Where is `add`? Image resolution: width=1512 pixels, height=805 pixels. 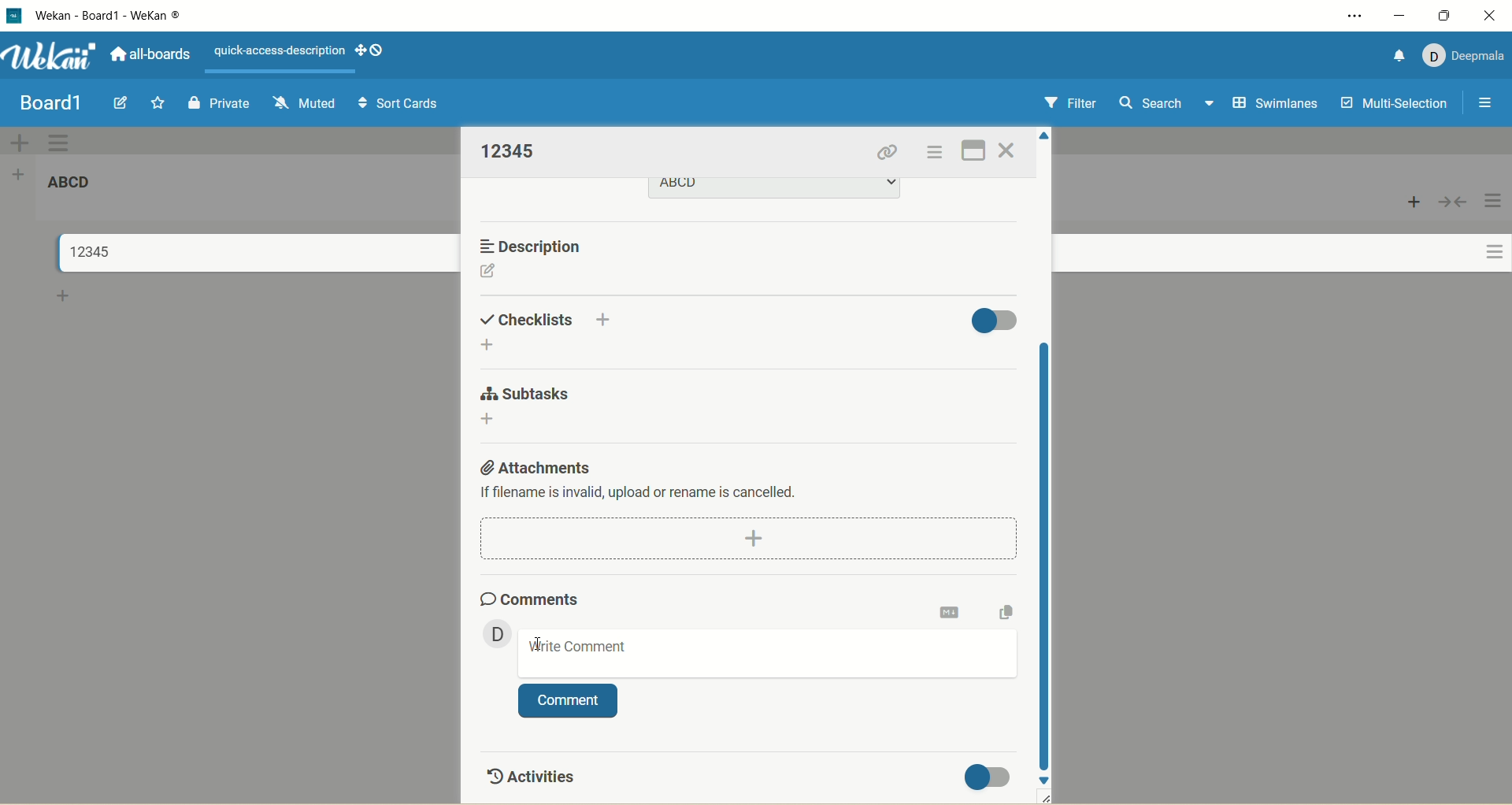 add is located at coordinates (492, 346).